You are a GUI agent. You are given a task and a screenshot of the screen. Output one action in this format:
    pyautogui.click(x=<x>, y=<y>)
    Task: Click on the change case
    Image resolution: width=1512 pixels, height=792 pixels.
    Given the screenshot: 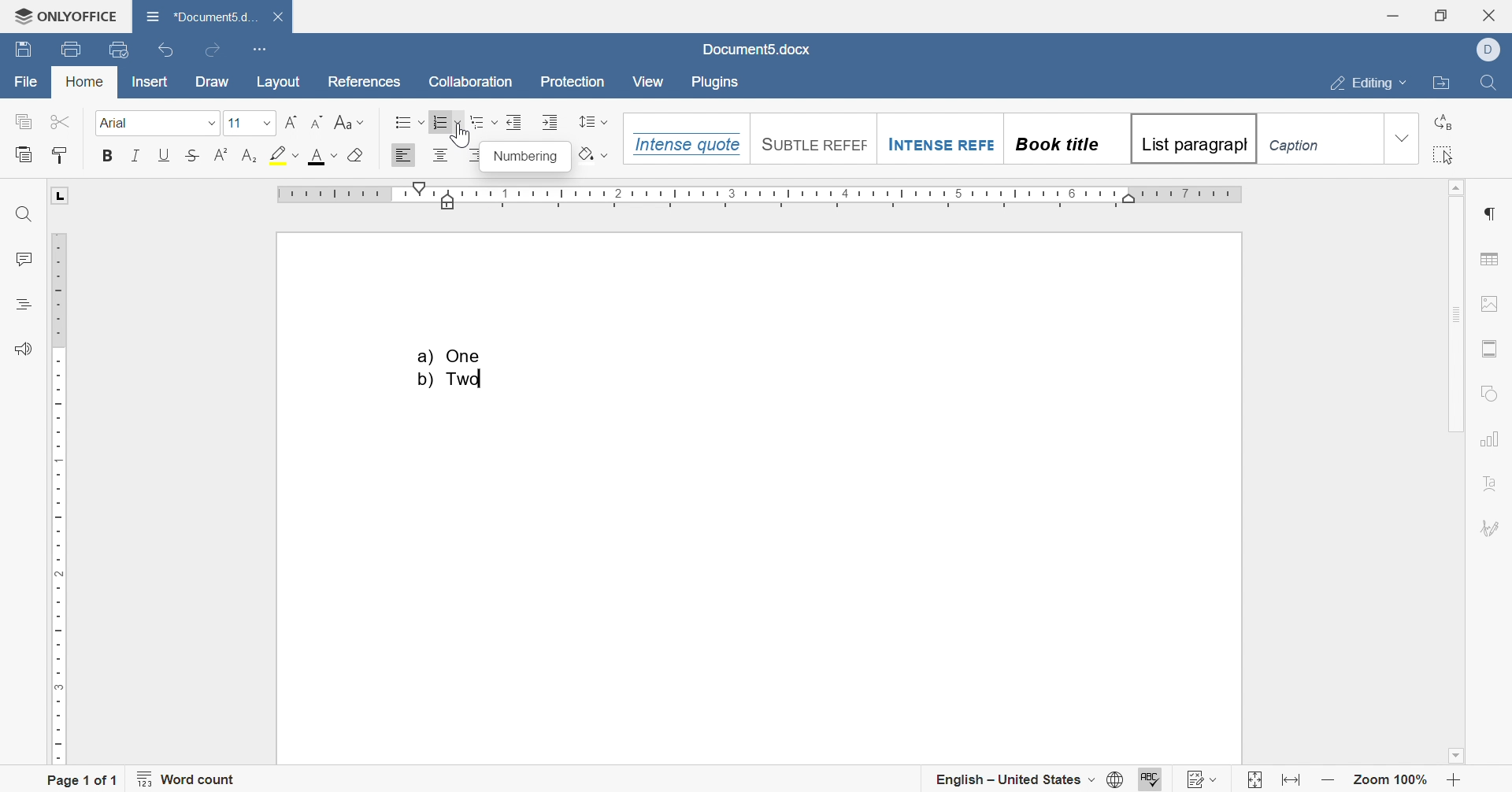 What is the action you would take?
    pyautogui.click(x=350, y=123)
    